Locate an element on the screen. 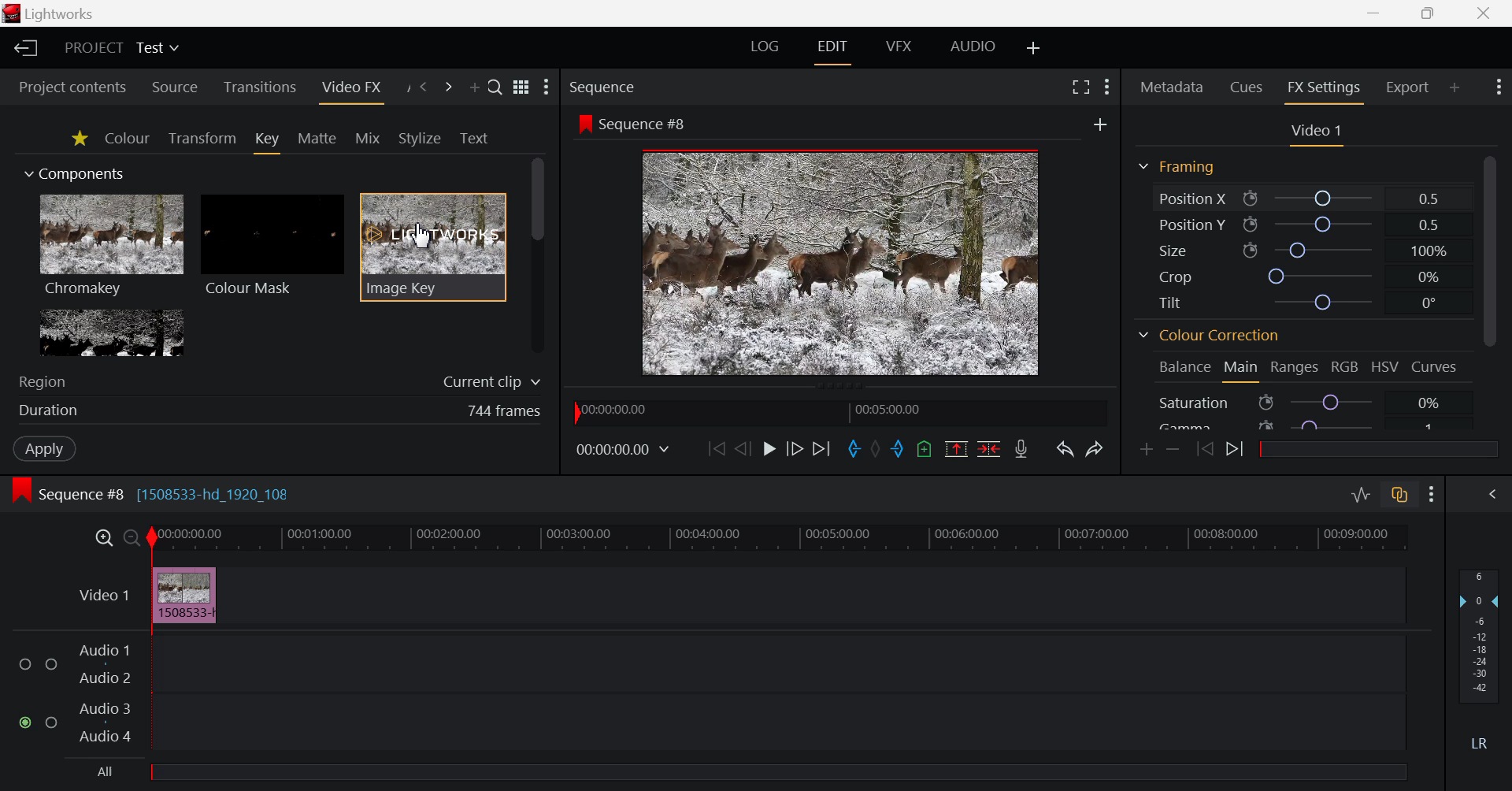 This screenshot has height=791, width=1512. Add Layout is located at coordinates (1032, 45).